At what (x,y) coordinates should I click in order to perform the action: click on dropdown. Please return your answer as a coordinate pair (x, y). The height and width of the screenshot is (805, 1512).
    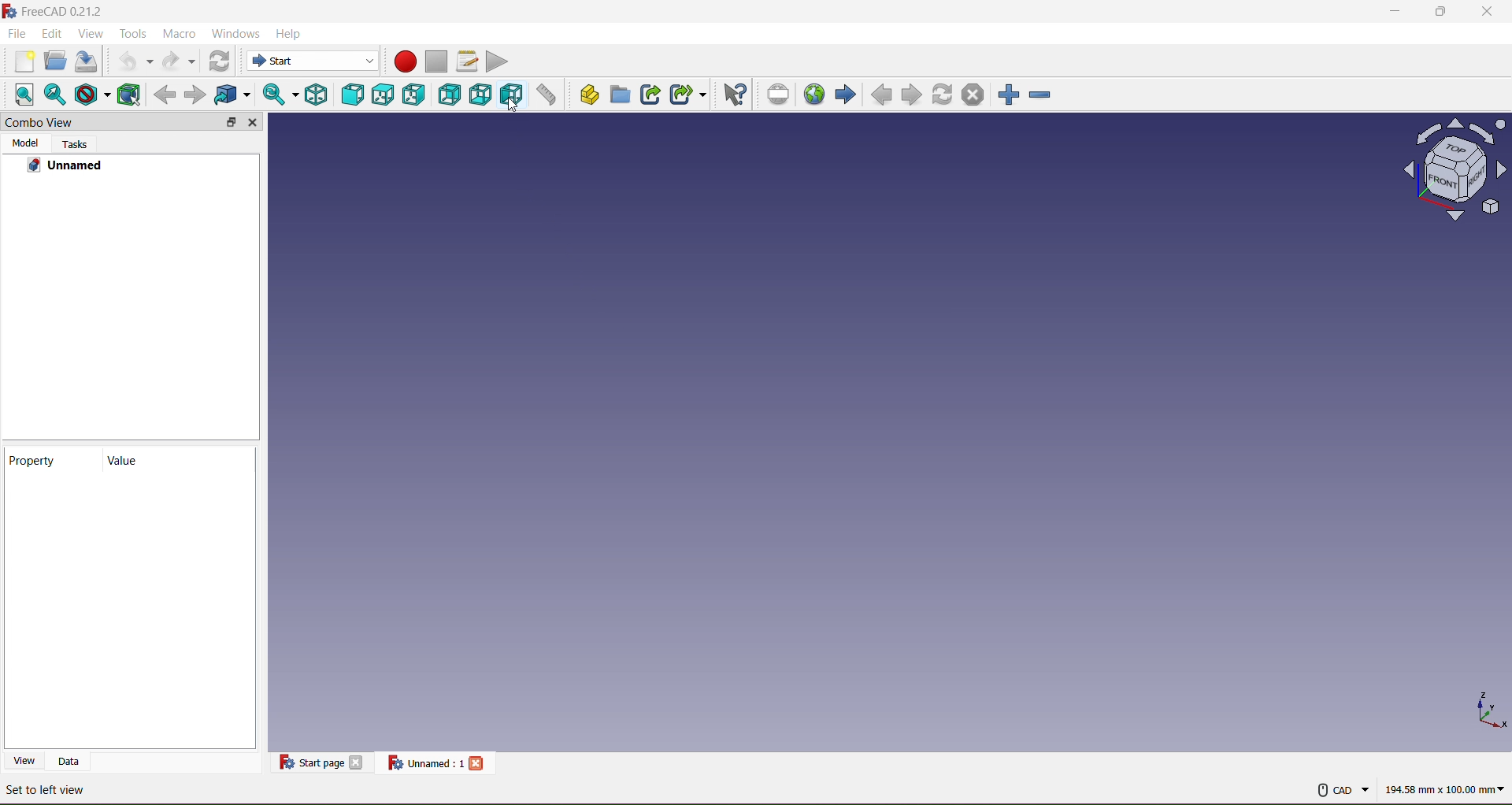
    Looking at the image, I should click on (365, 62).